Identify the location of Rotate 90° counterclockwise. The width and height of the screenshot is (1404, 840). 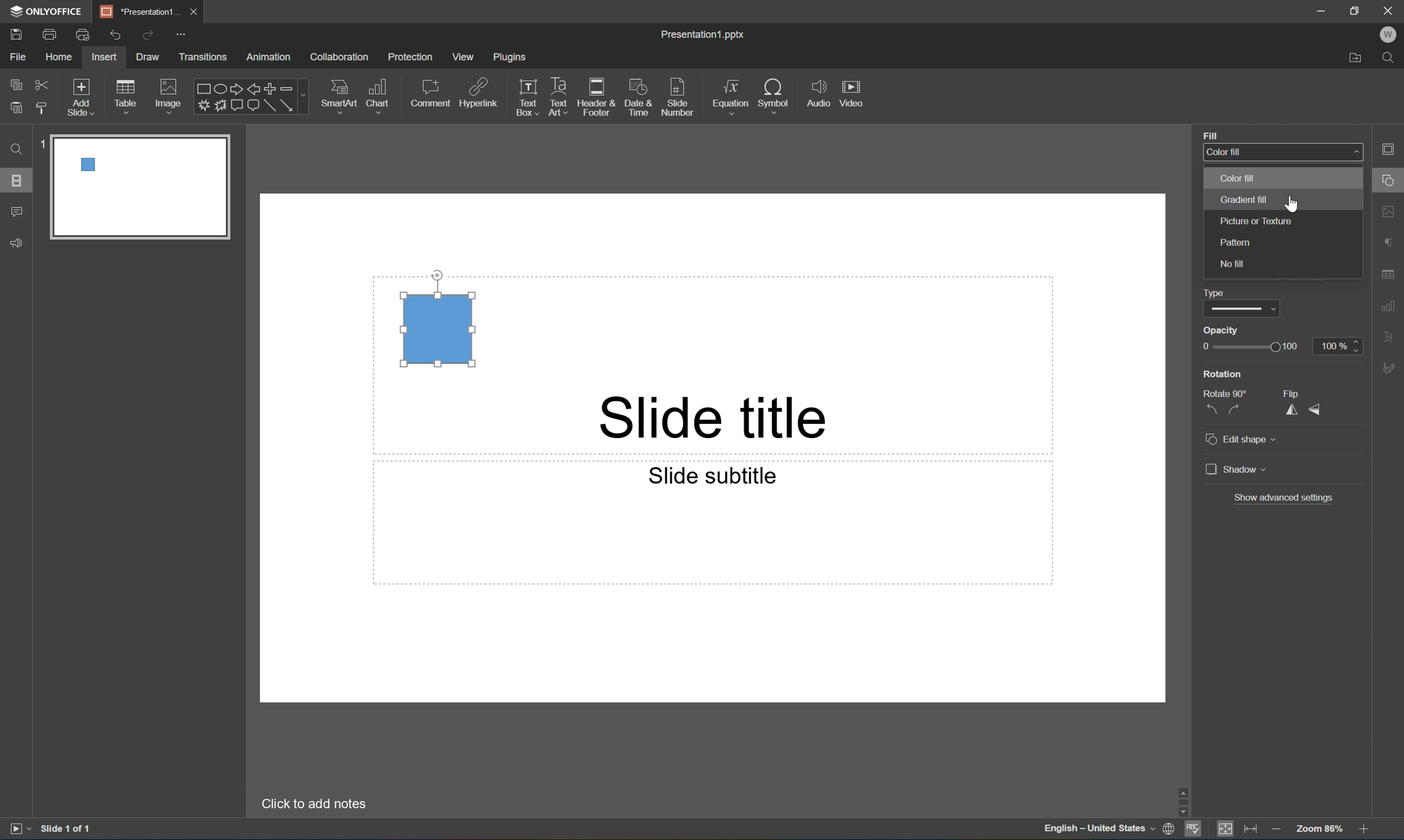
(1211, 410).